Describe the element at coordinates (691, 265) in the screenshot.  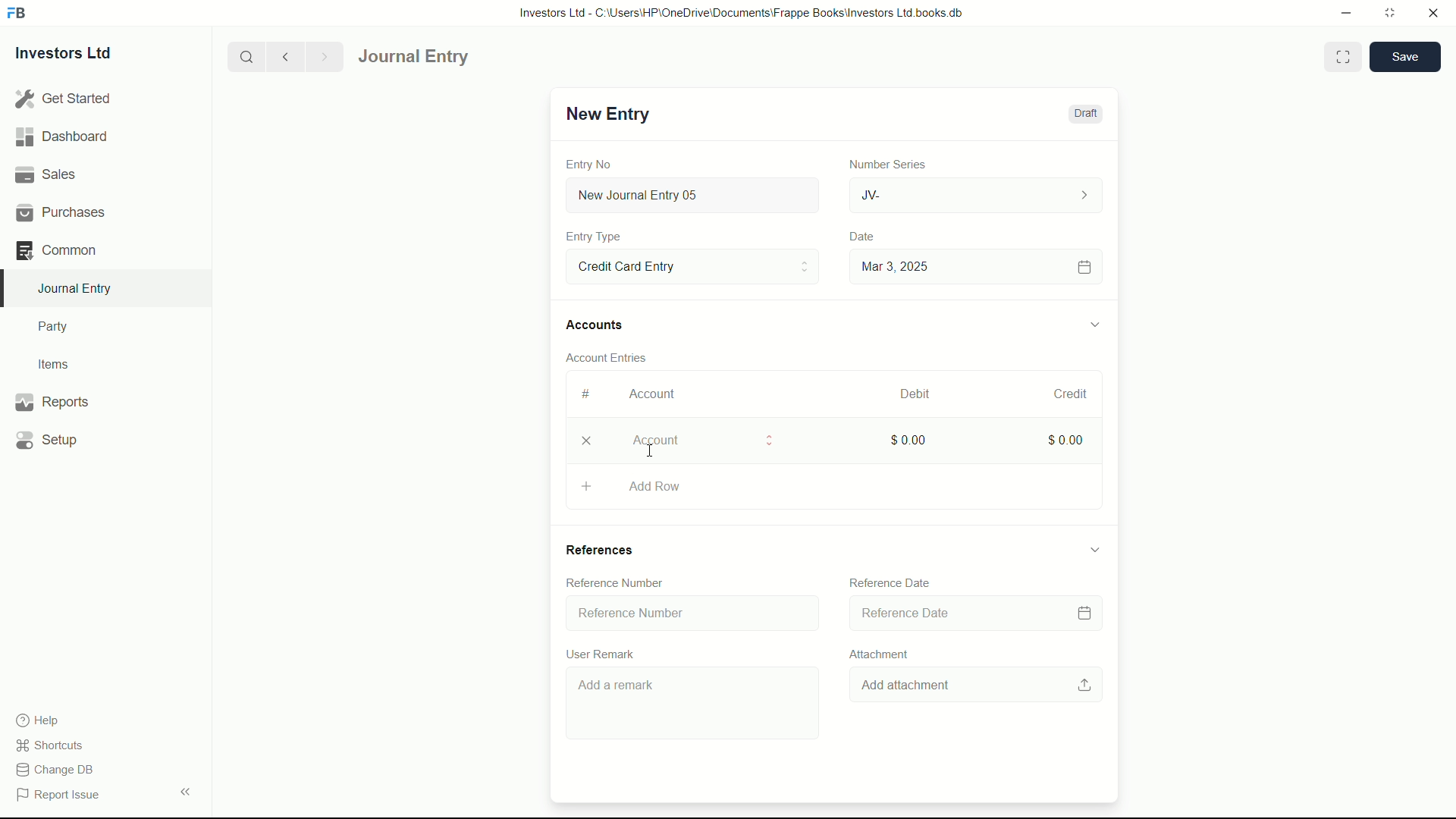
I see `Entry Type` at that location.